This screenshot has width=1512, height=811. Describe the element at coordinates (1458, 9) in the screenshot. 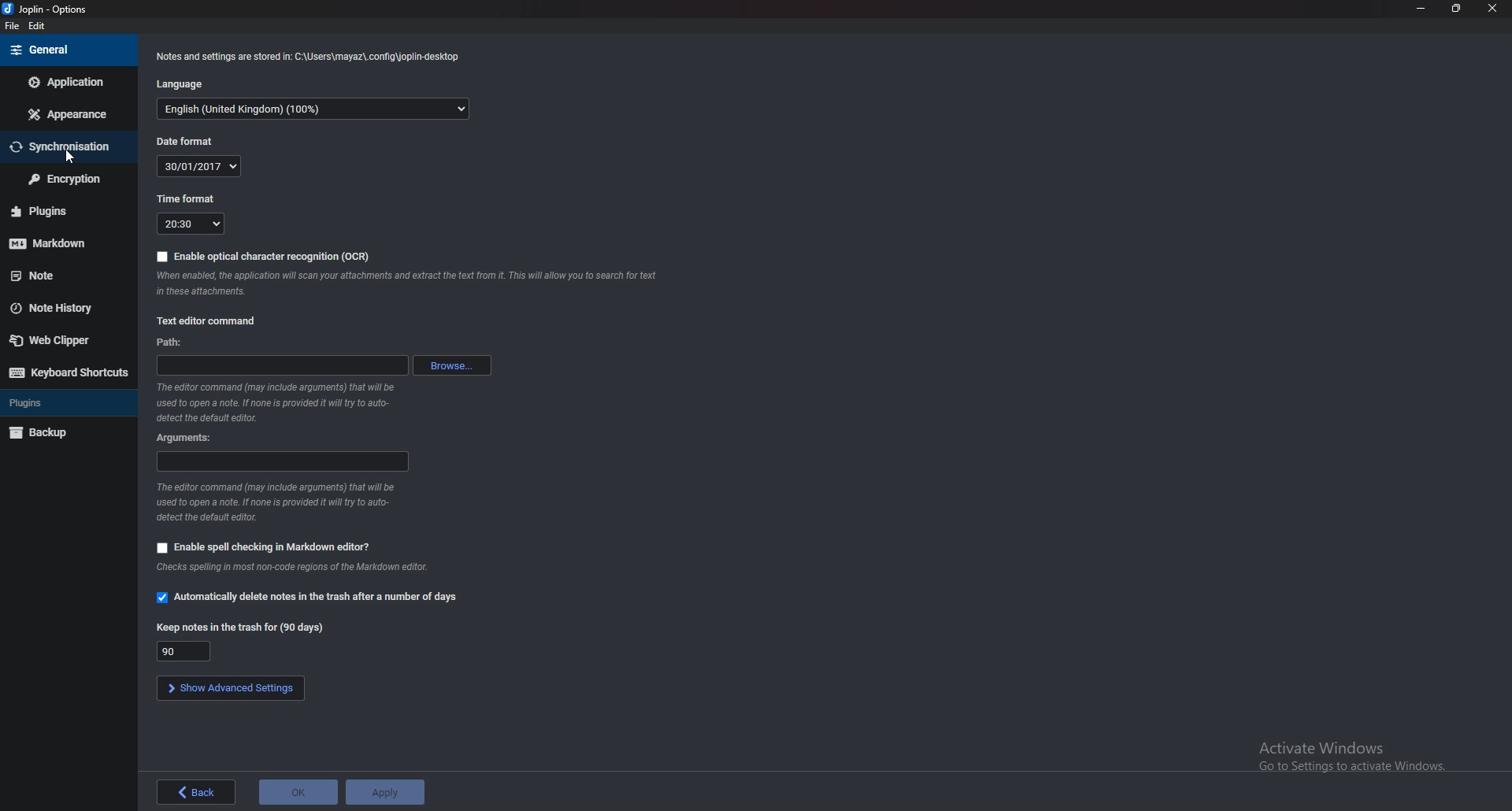

I see `resize` at that location.